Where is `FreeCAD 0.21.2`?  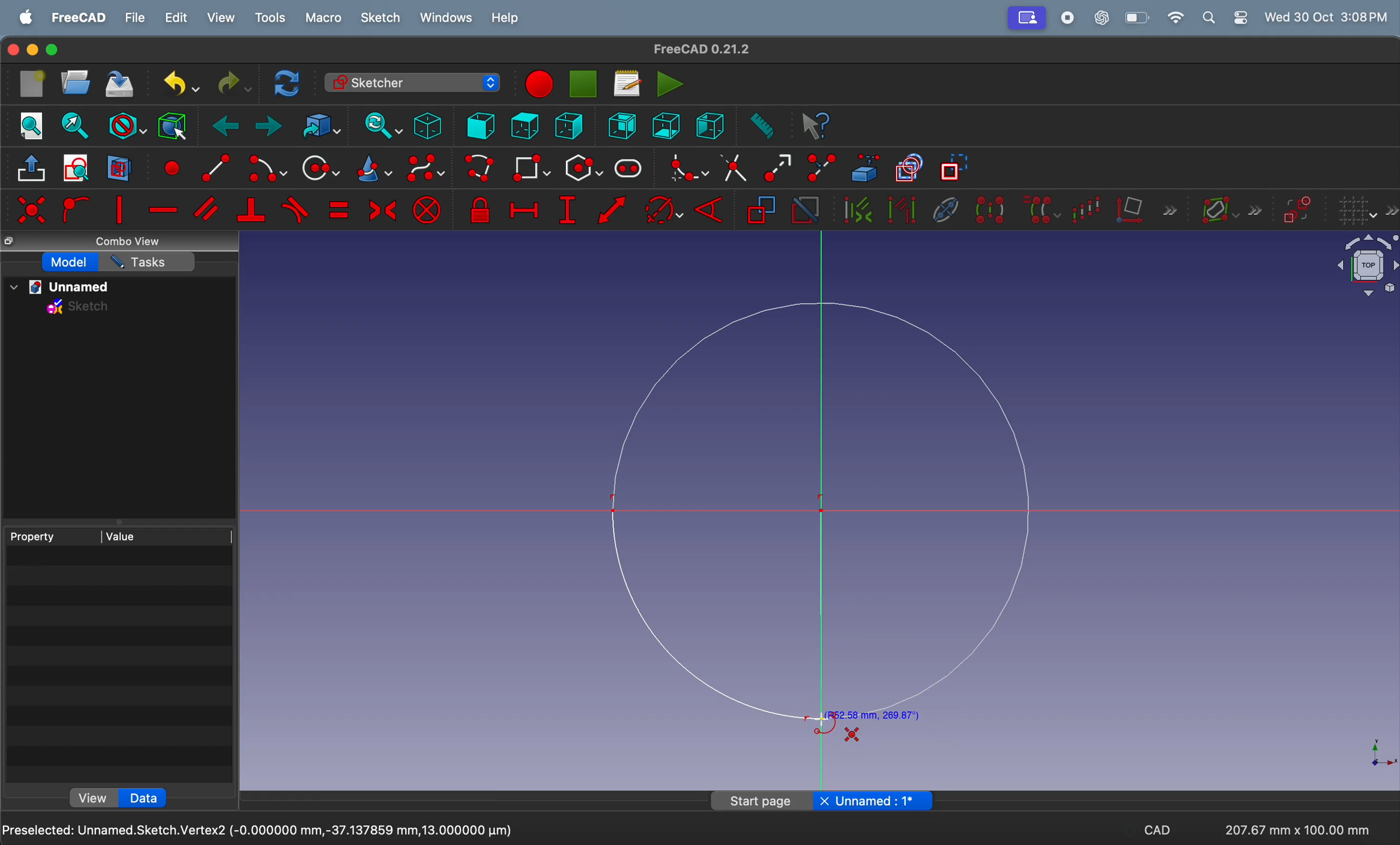 FreeCAD 0.21.2 is located at coordinates (702, 48).